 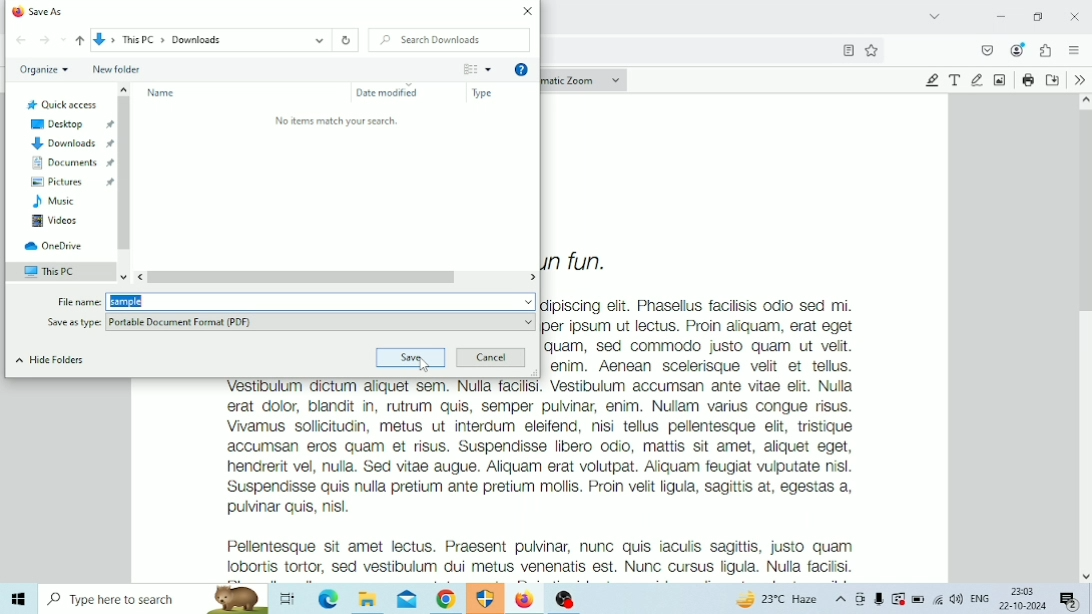 I want to click on Up to "This PC", so click(x=80, y=41).